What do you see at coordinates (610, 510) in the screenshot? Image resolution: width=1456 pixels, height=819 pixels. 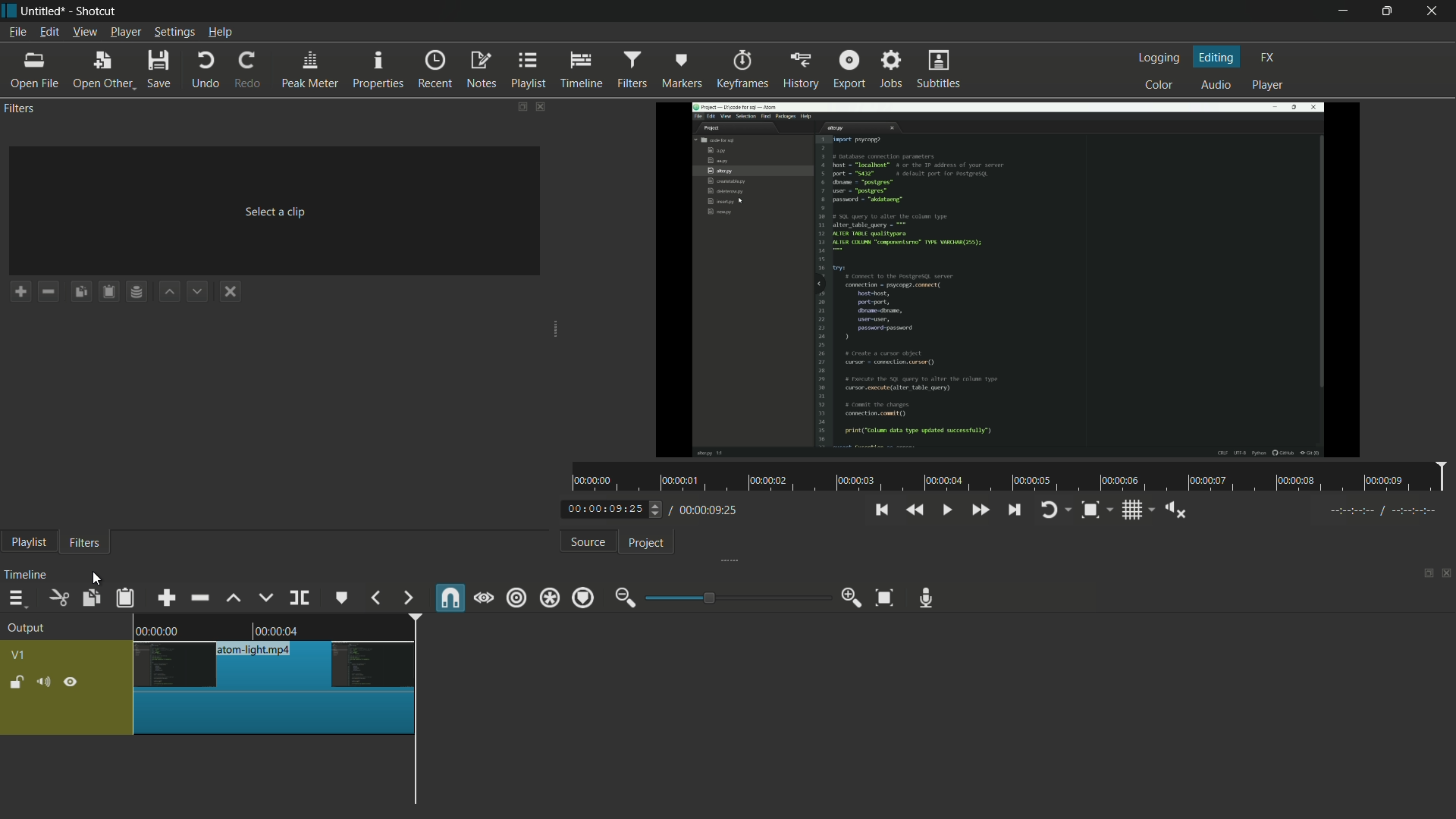 I see `current time` at bounding box center [610, 510].